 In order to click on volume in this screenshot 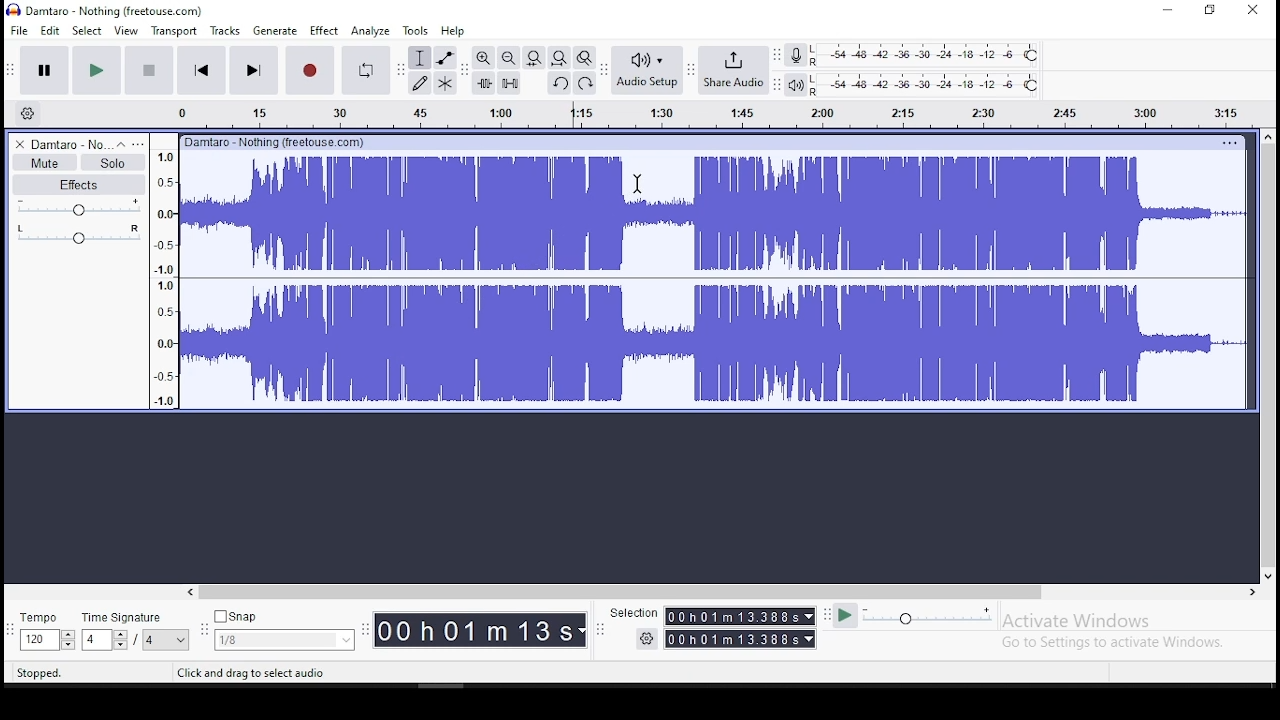, I will do `click(80, 211)`.